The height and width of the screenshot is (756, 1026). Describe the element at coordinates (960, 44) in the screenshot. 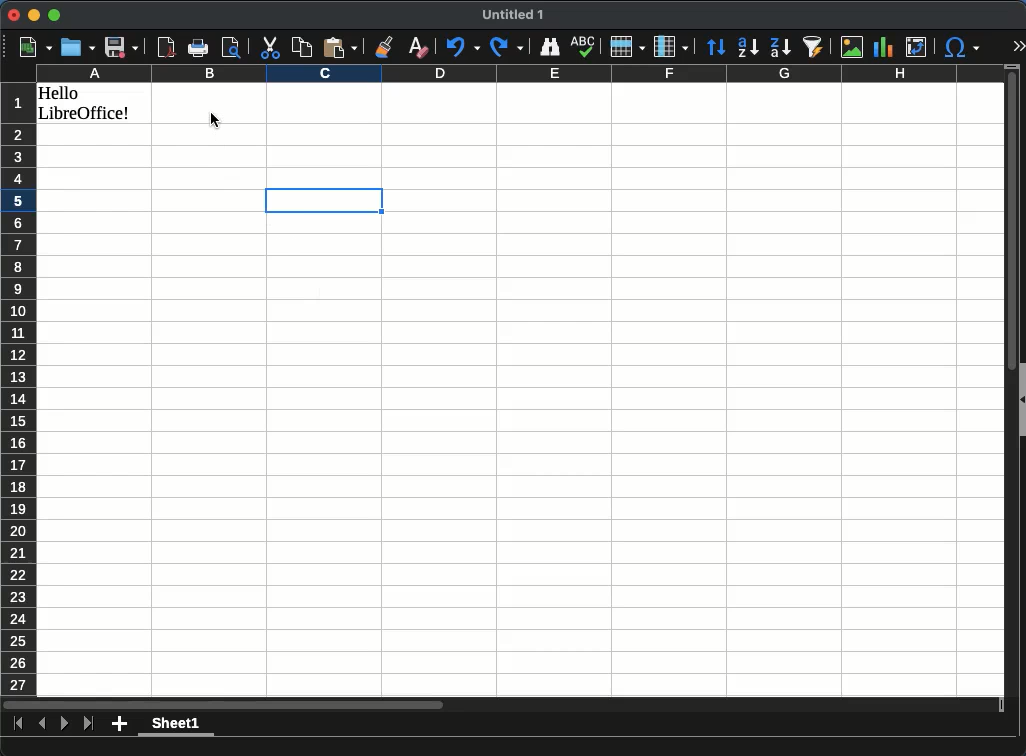

I see `special character` at that location.